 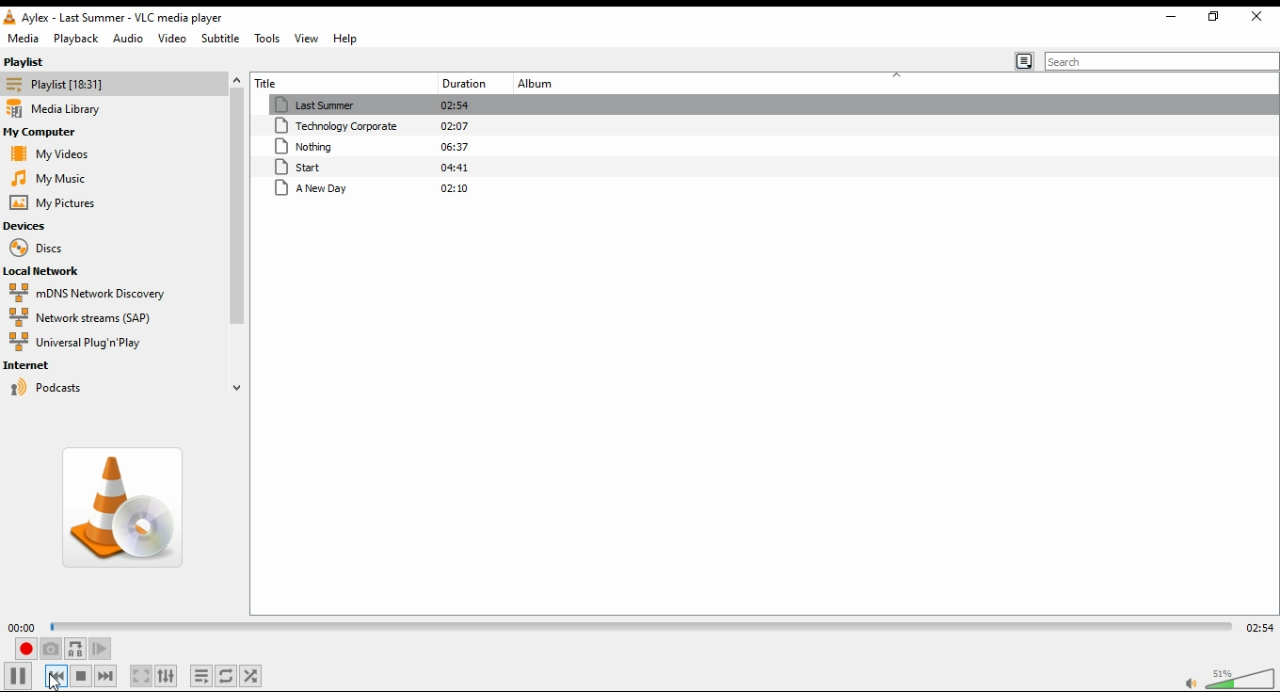 I want to click on change playlist view, so click(x=1024, y=62).